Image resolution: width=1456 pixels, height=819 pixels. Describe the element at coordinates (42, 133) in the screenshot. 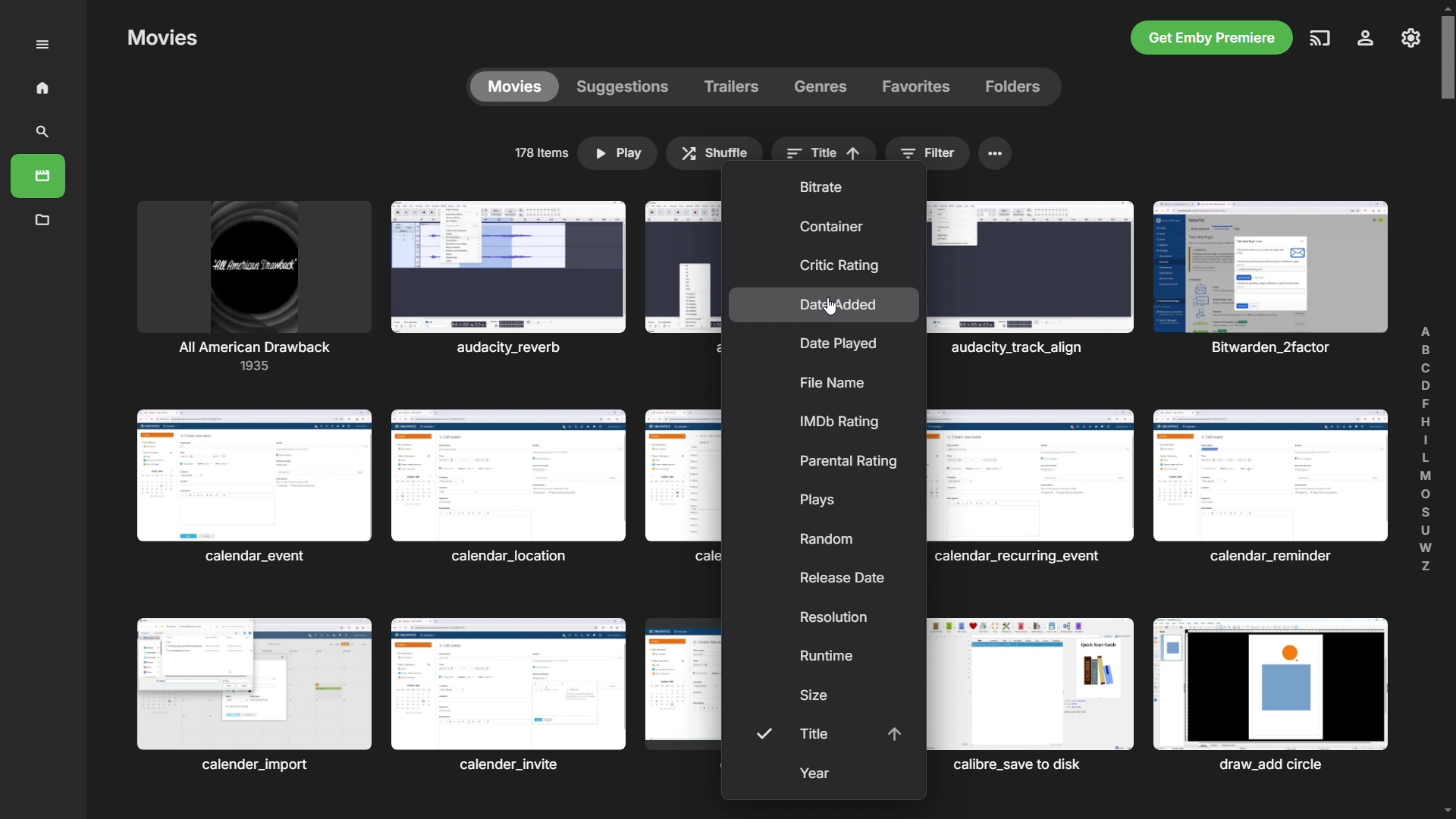

I see `search` at that location.